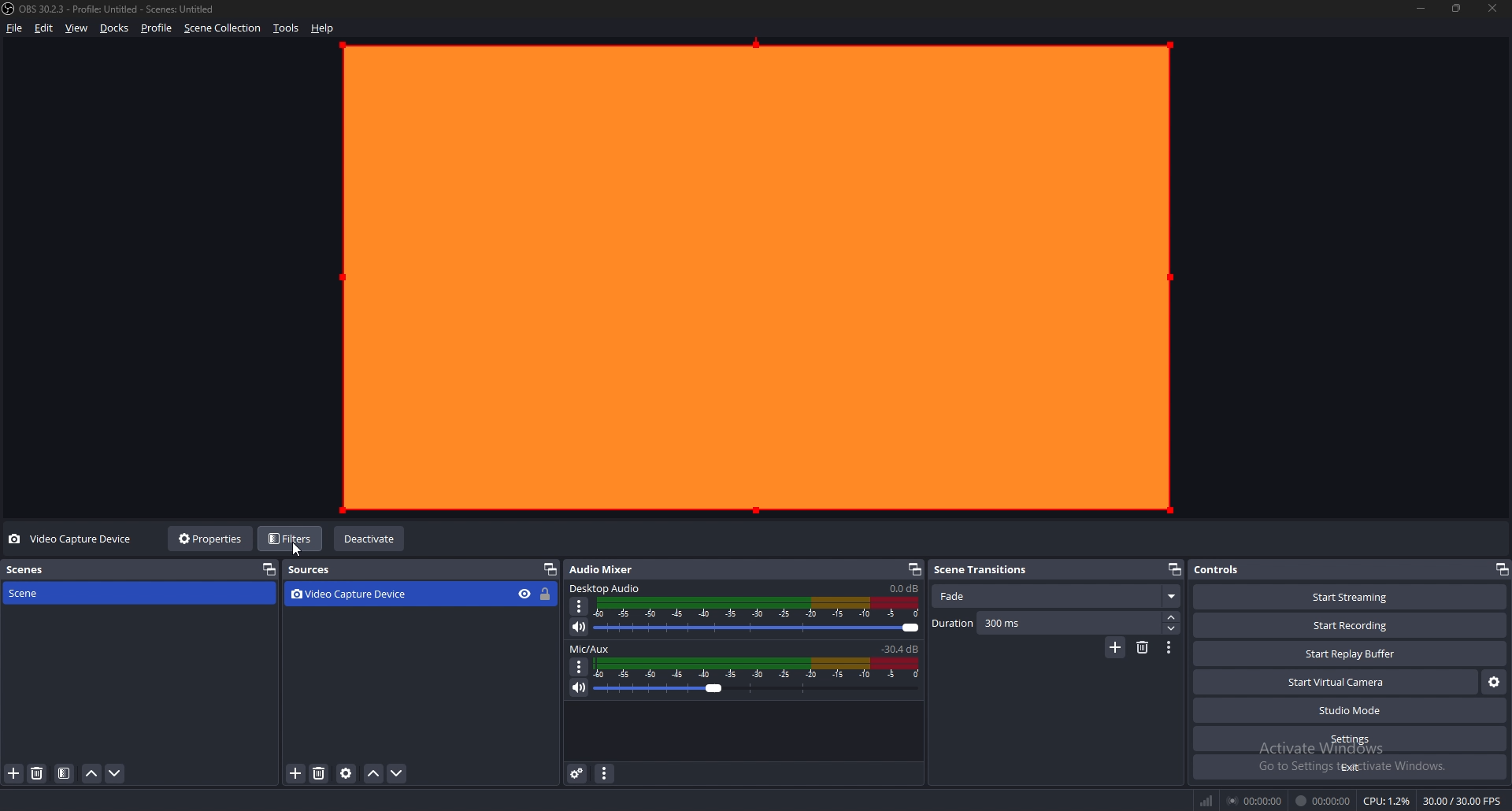 The width and height of the screenshot is (1512, 811). I want to click on help, so click(323, 28).